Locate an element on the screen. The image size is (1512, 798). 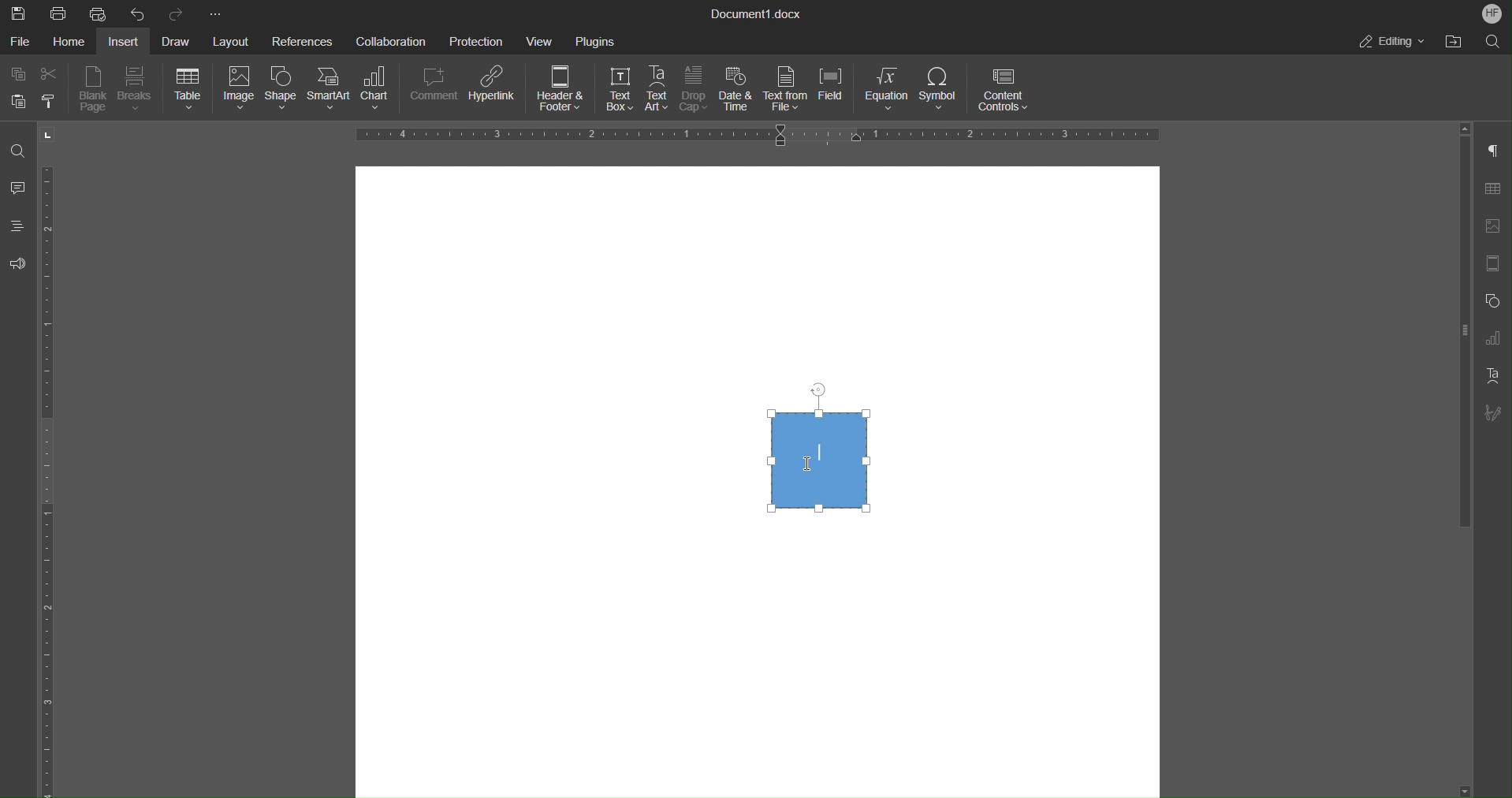
Protection is located at coordinates (478, 40).